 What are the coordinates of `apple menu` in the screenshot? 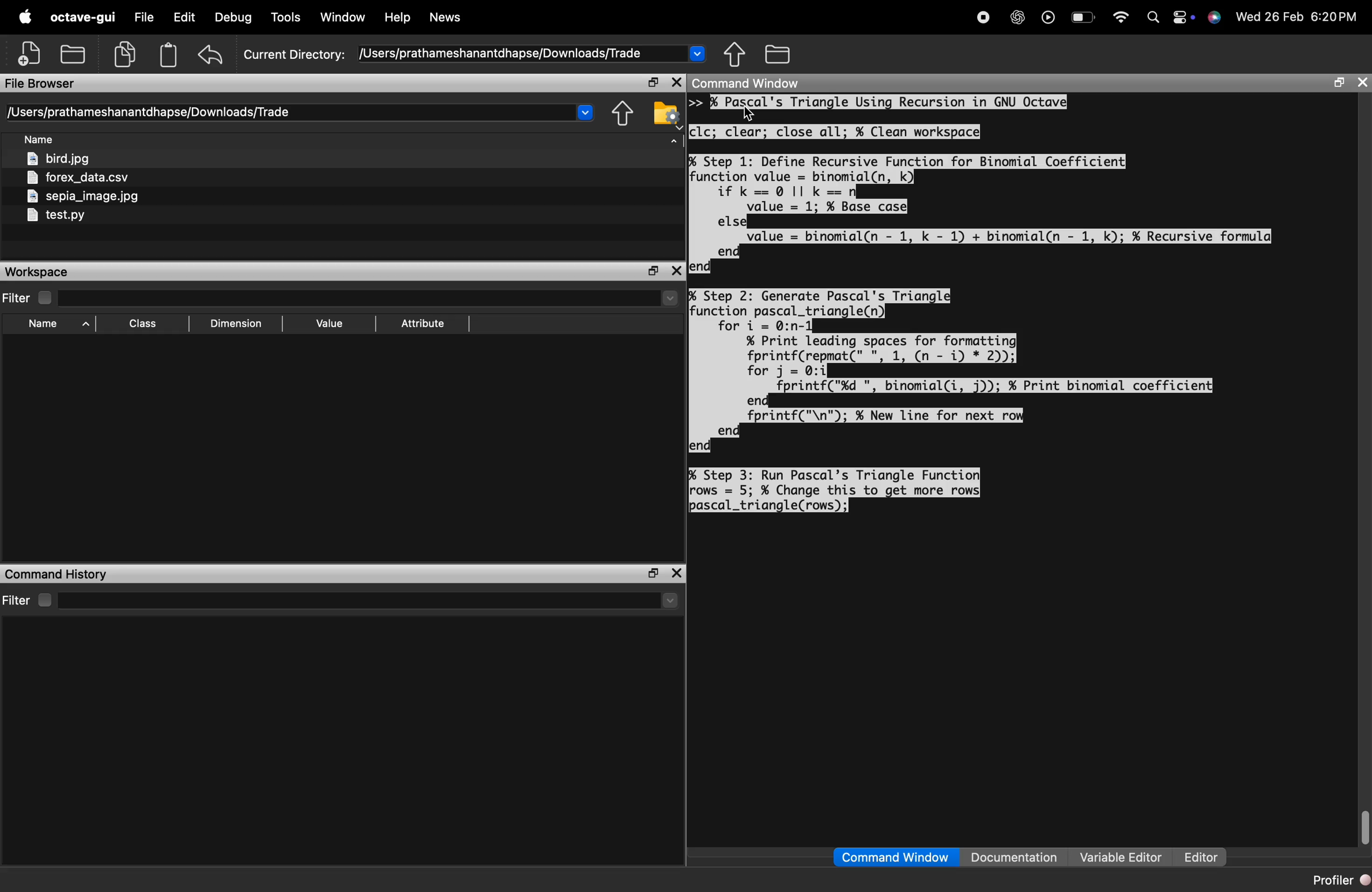 It's located at (24, 16).